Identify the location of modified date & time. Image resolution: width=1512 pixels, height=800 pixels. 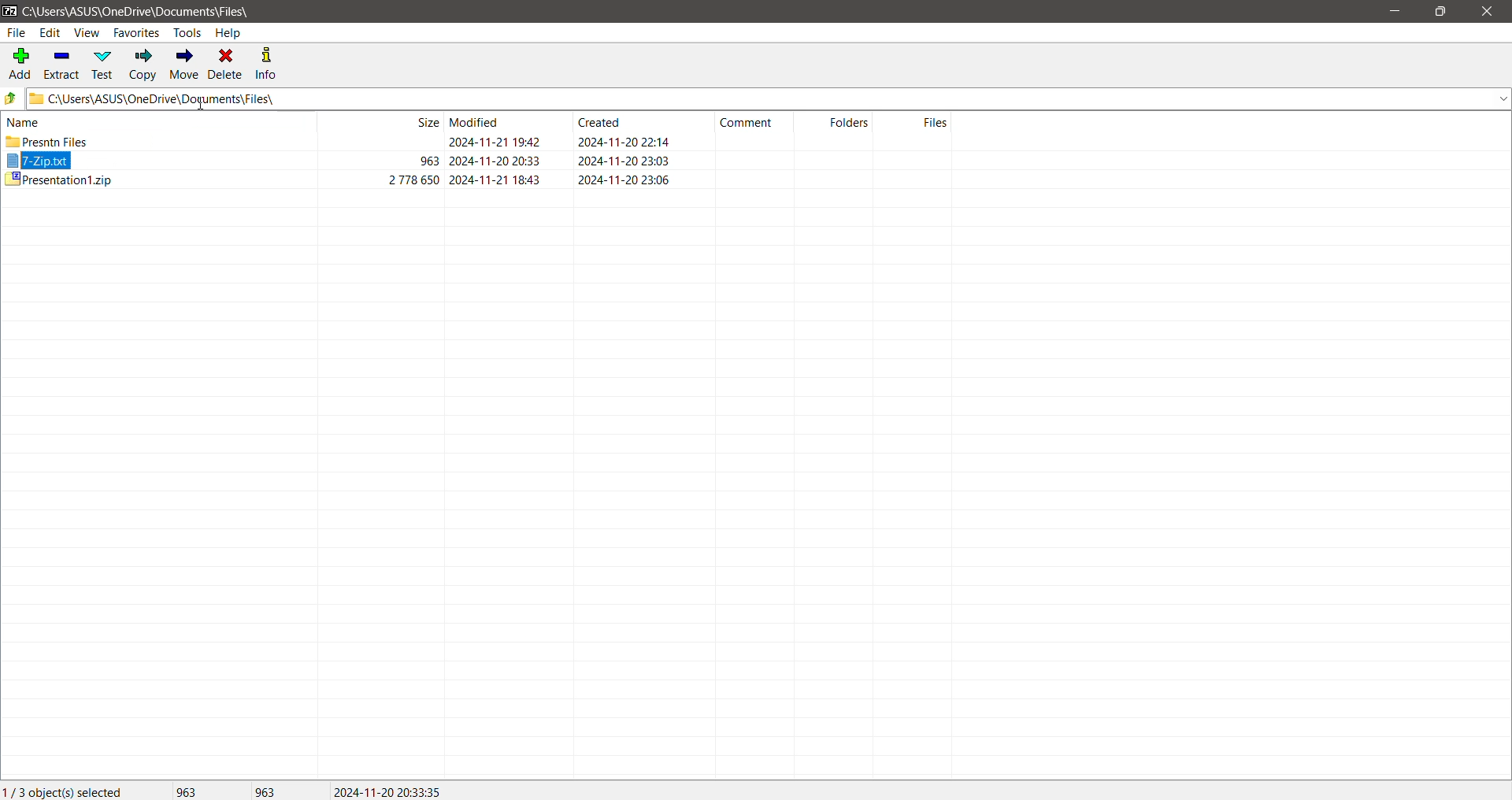
(495, 142).